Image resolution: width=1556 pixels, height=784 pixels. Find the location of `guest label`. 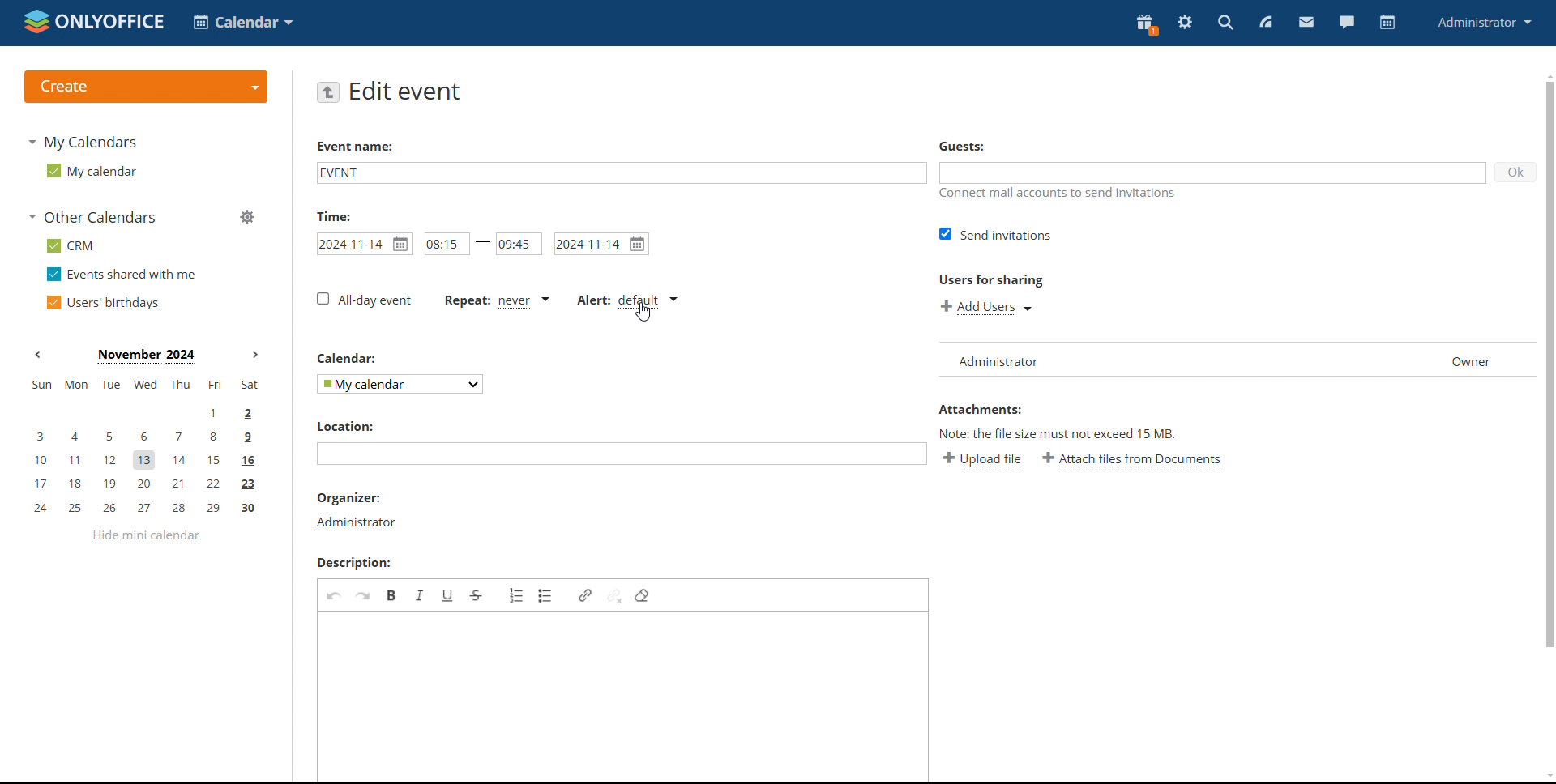

guest label is located at coordinates (971, 149).